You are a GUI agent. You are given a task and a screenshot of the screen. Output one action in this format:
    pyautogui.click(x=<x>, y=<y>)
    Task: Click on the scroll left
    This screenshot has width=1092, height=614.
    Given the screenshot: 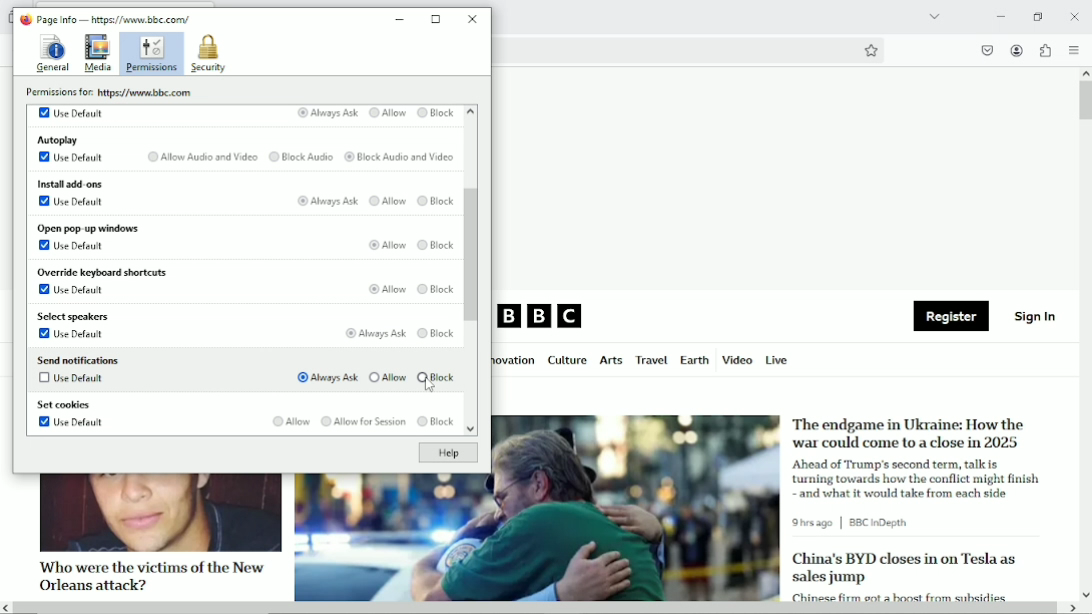 What is the action you would take?
    pyautogui.click(x=7, y=608)
    